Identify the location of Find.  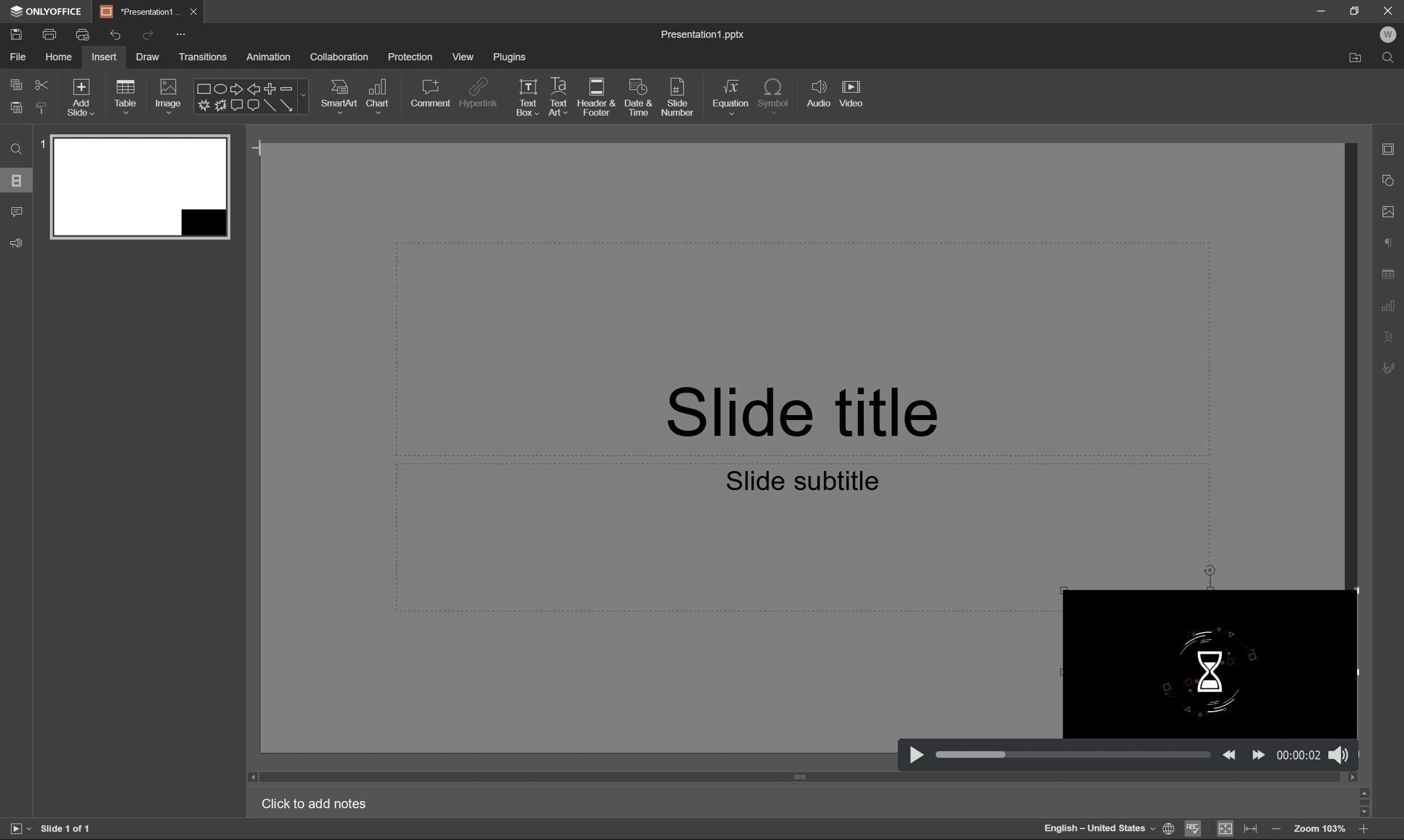
(18, 152).